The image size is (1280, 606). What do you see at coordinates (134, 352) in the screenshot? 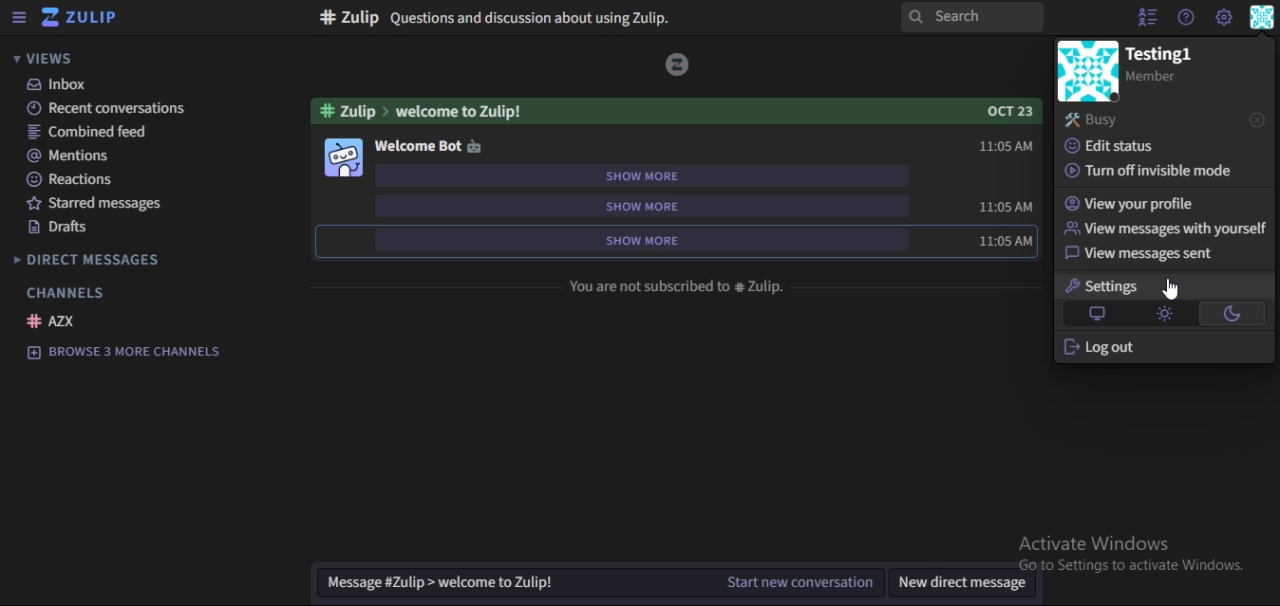
I see `Browse 3 more channels` at bounding box center [134, 352].